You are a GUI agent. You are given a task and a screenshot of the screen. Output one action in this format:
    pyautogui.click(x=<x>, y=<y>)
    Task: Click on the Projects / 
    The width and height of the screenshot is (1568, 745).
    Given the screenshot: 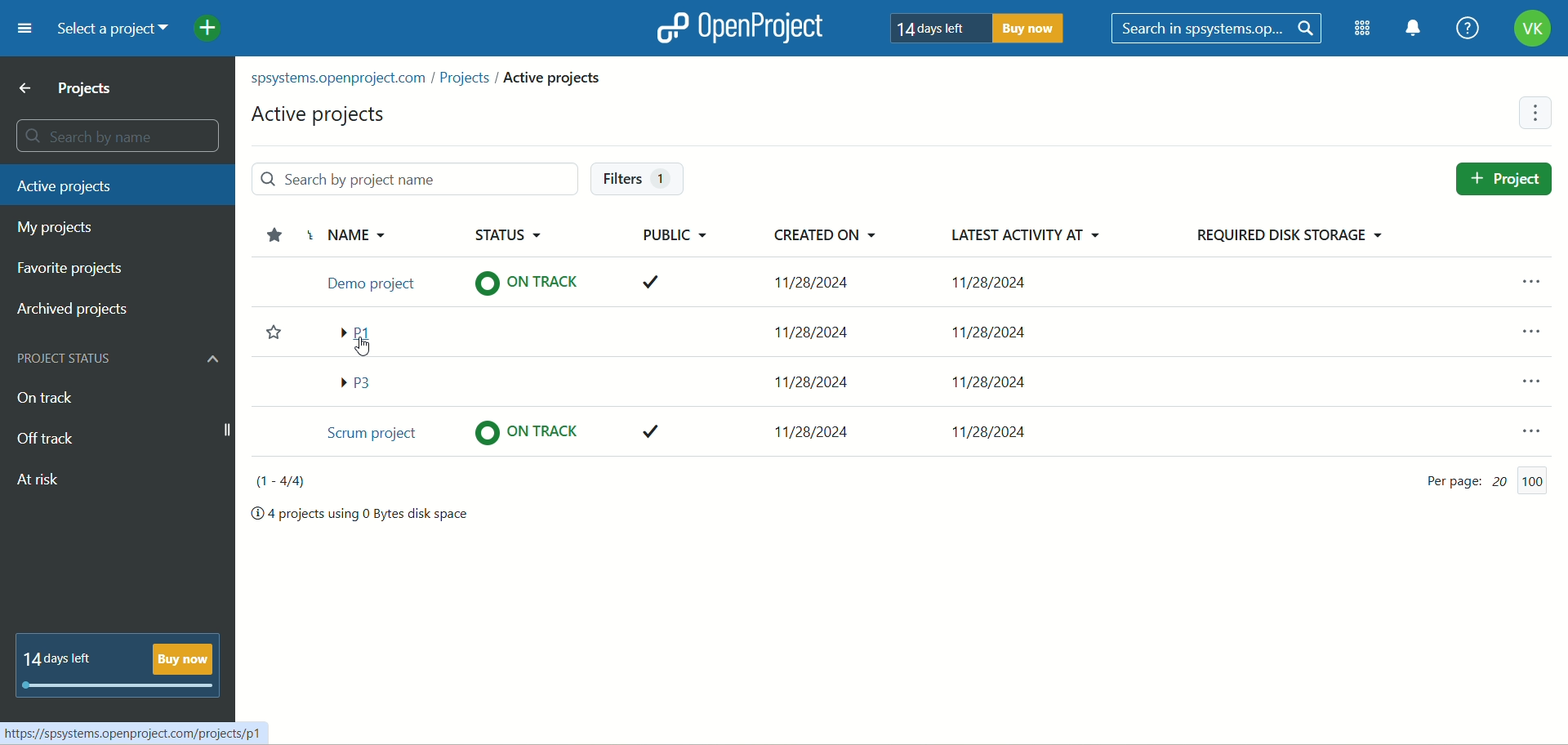 What is the action you would take?
    pyautogui.click(x=469, y=80)
    